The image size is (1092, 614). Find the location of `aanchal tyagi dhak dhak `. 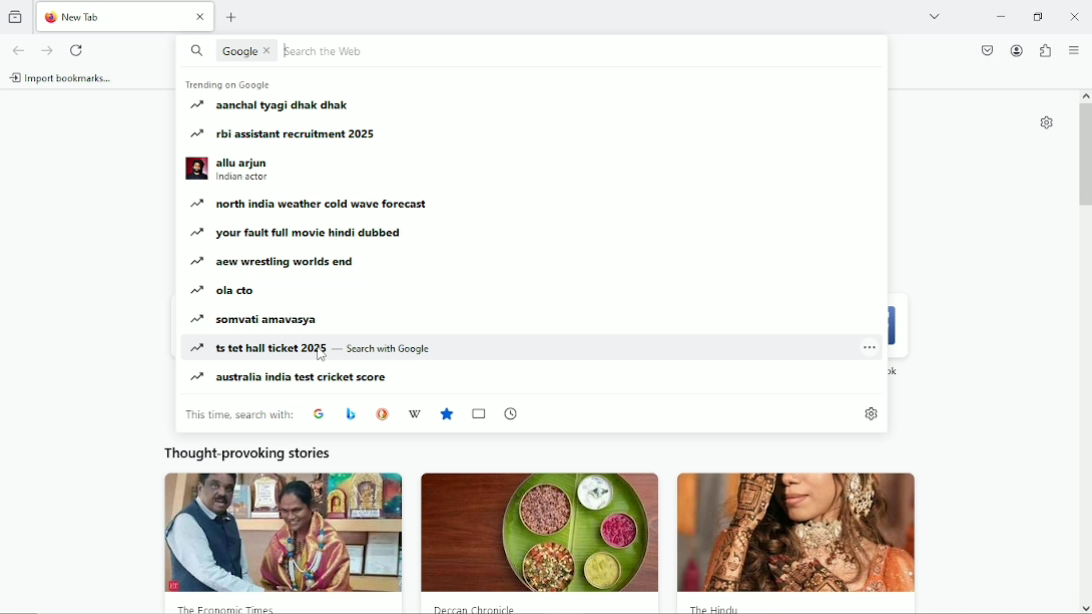

aanchal tyagi dhak dhak  is located at coordinates (283, 107).